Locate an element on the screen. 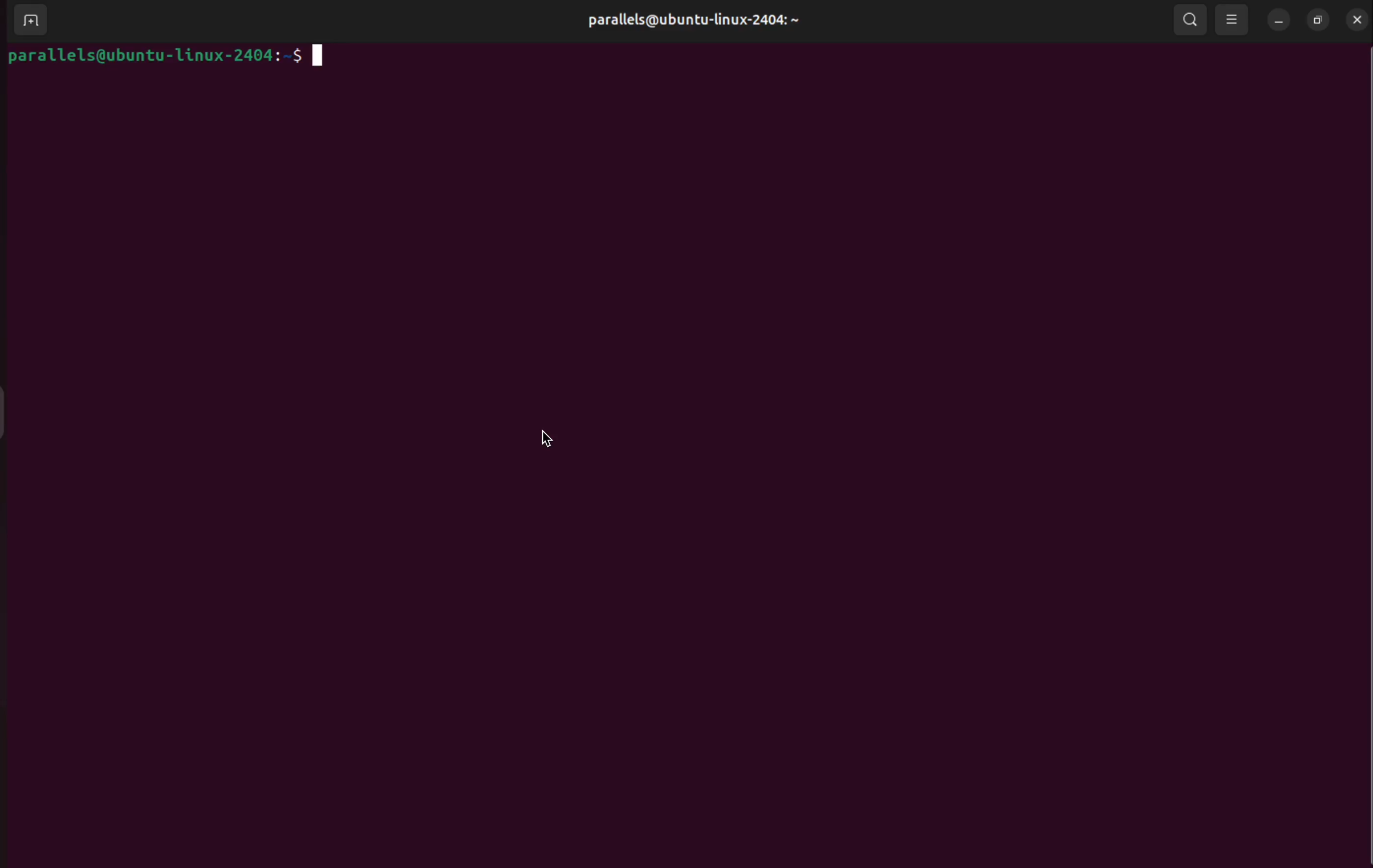 This screenshot has width=1373, height=868. cursor is located at coordinates (550, 441).